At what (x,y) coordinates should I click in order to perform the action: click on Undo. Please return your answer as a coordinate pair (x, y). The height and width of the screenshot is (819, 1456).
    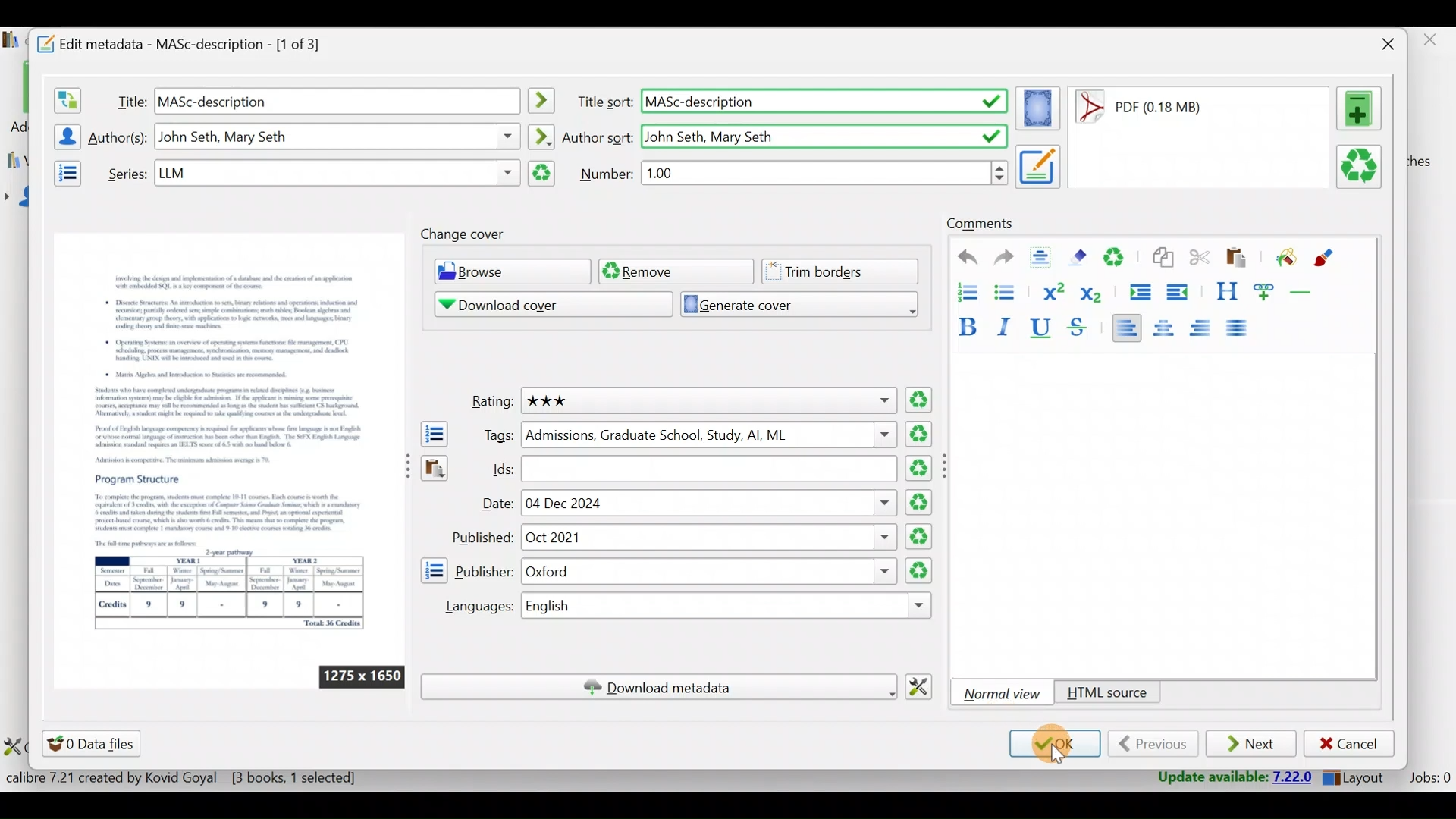
    Looking at the image, I should click on (961, 258).